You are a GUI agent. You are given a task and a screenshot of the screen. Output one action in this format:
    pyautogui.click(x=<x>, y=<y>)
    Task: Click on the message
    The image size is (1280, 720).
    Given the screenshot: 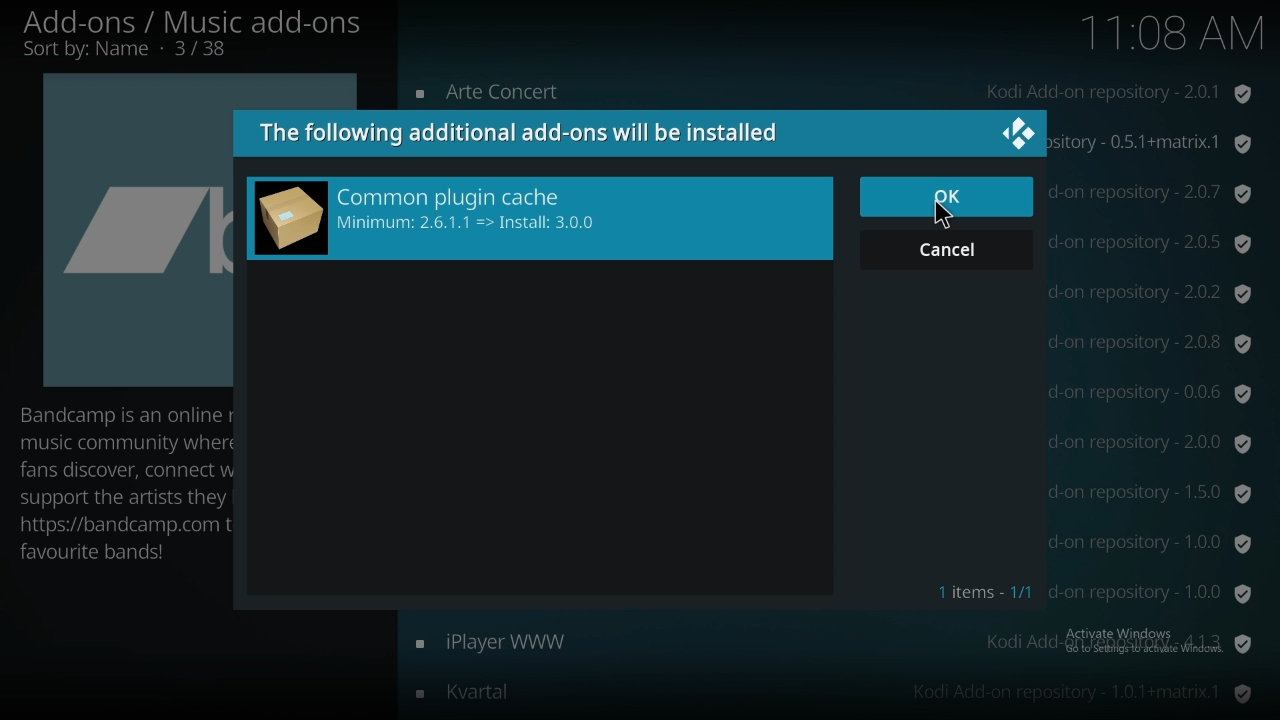 What is the action you would take?
    pyautogui.click(x=519, y=132)
    